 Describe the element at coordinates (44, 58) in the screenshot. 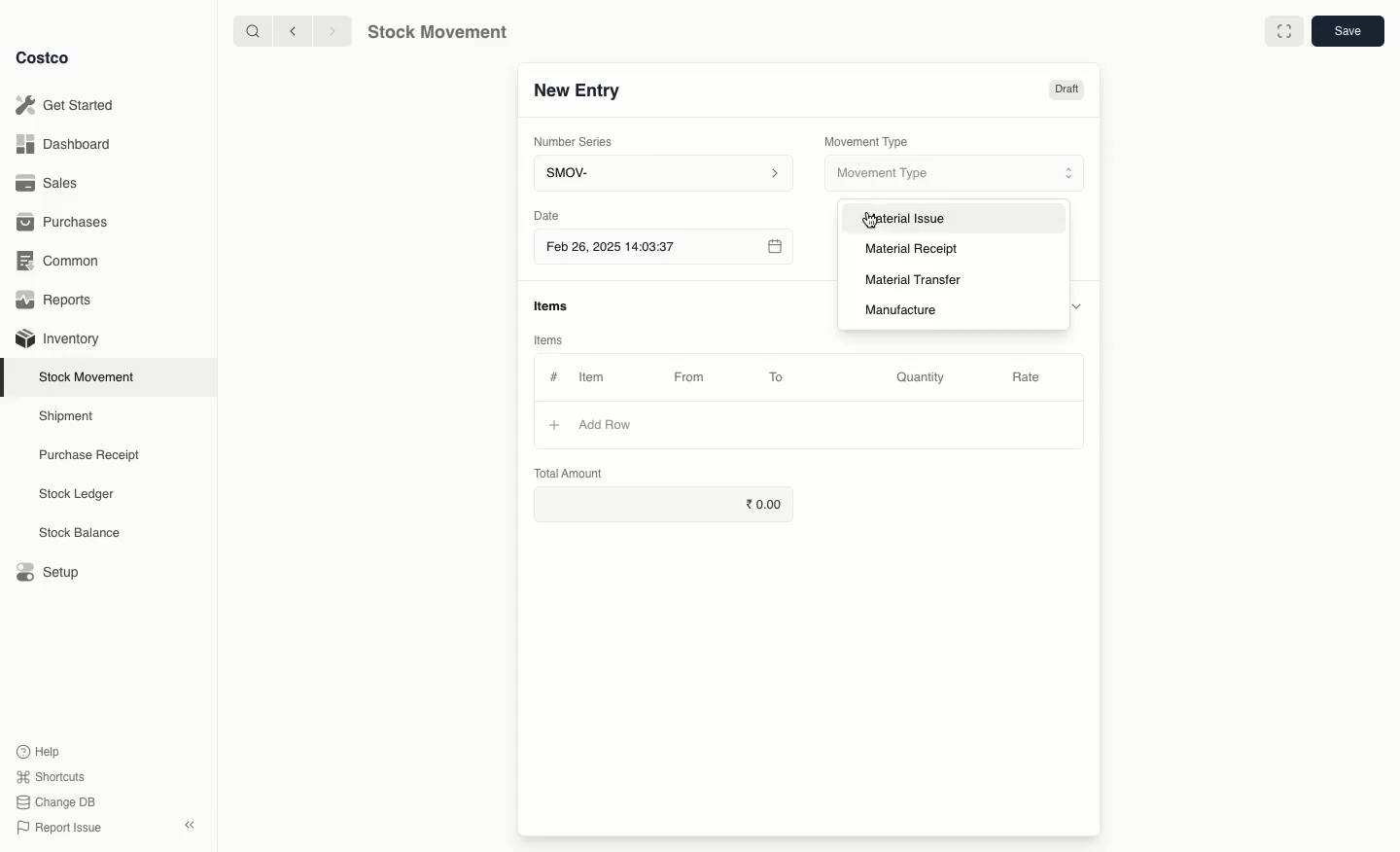

I see `Costco` at that location.